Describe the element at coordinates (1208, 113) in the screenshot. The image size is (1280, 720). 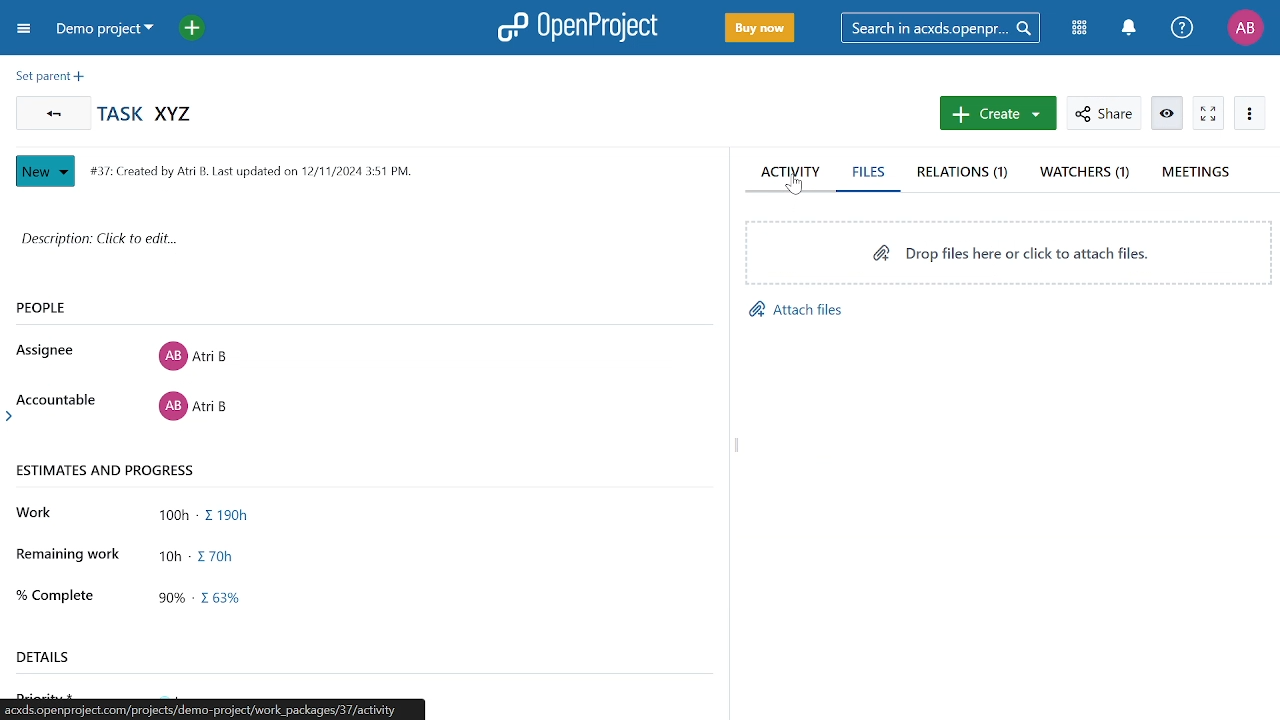
I see `Activate zen mode` at that location.